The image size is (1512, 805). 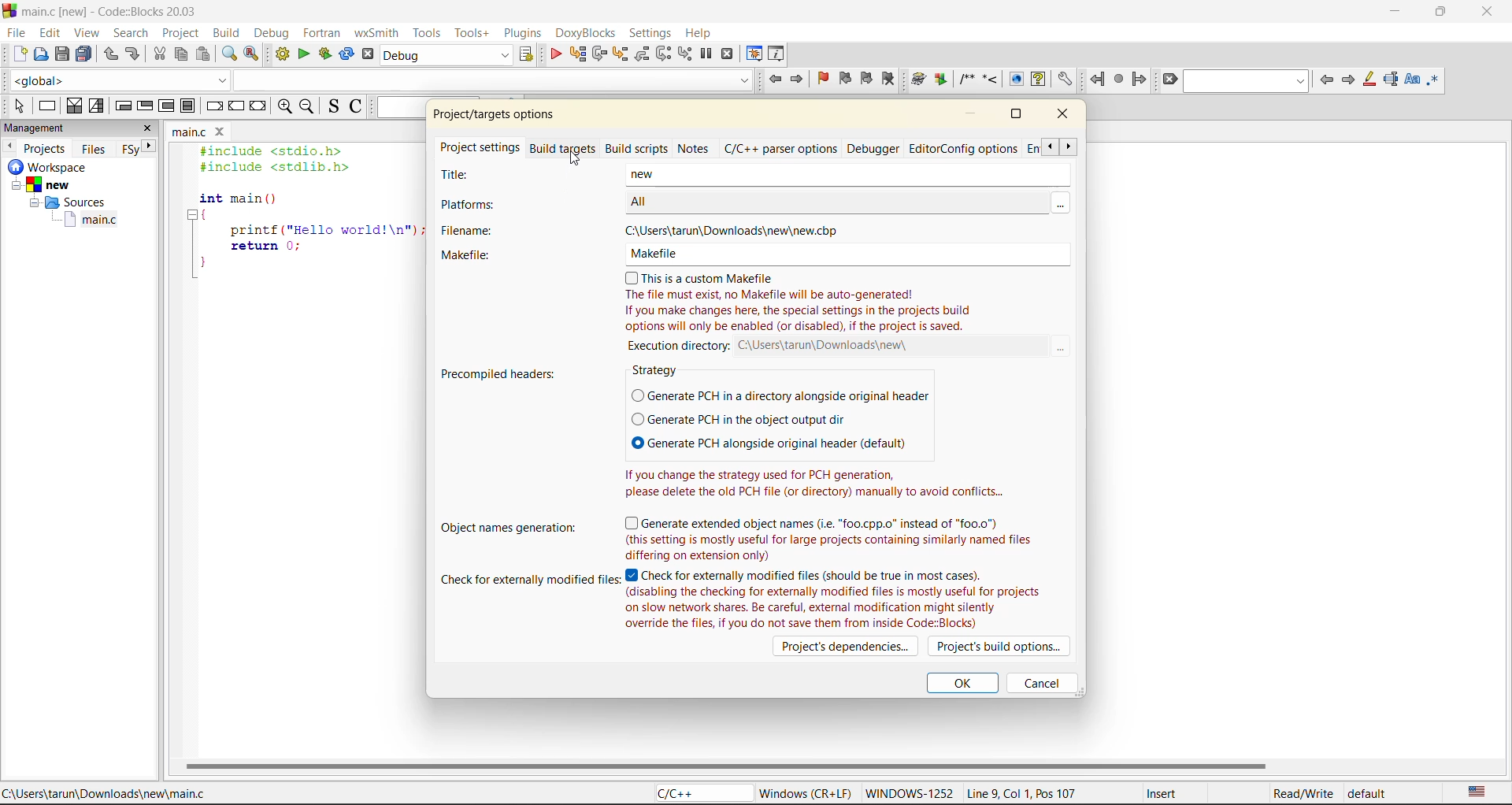 What do you see at coordinates (810, 228) in the screenshot?
I see `‘C:\Users\tarun\Downloads\new\new.cbp` at bounding box center [810, 228].